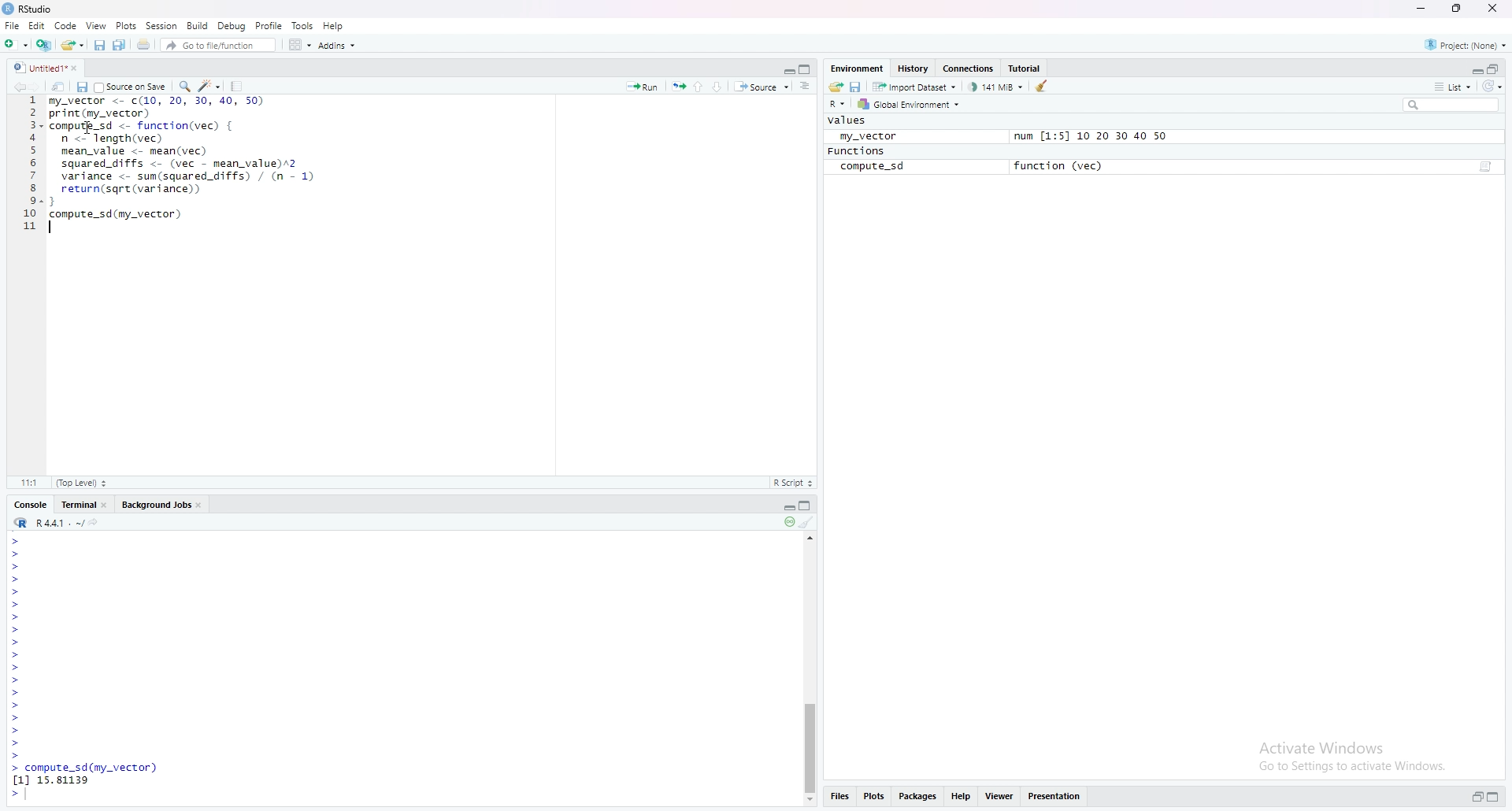  I want to click on Text Cursor, so click(90, 129).